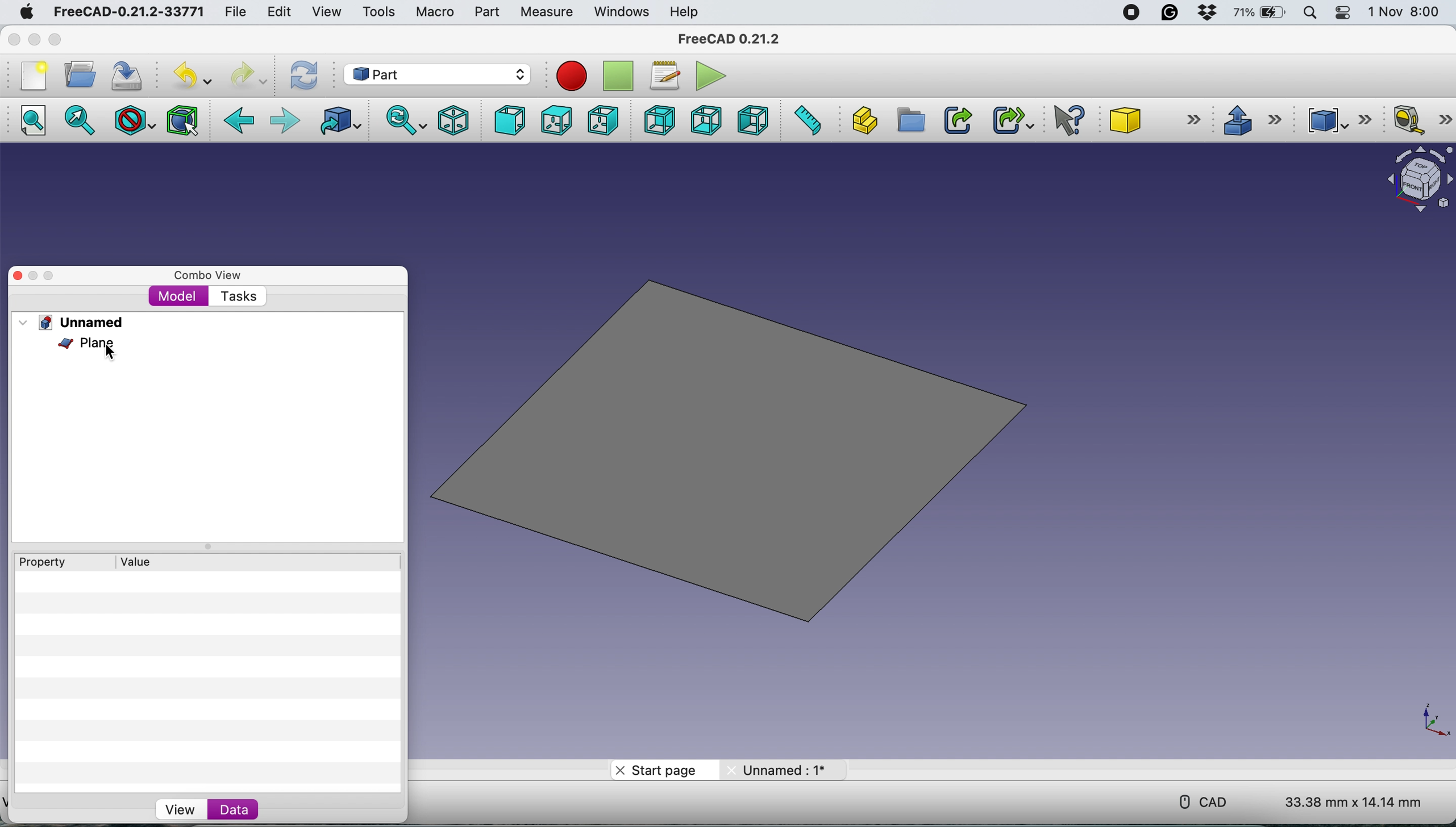 This screenshot has width=1456, height=827. What do you see at coordinates (555, 121) in the screenshot?
I see `top` at bounding box center [555, 121].